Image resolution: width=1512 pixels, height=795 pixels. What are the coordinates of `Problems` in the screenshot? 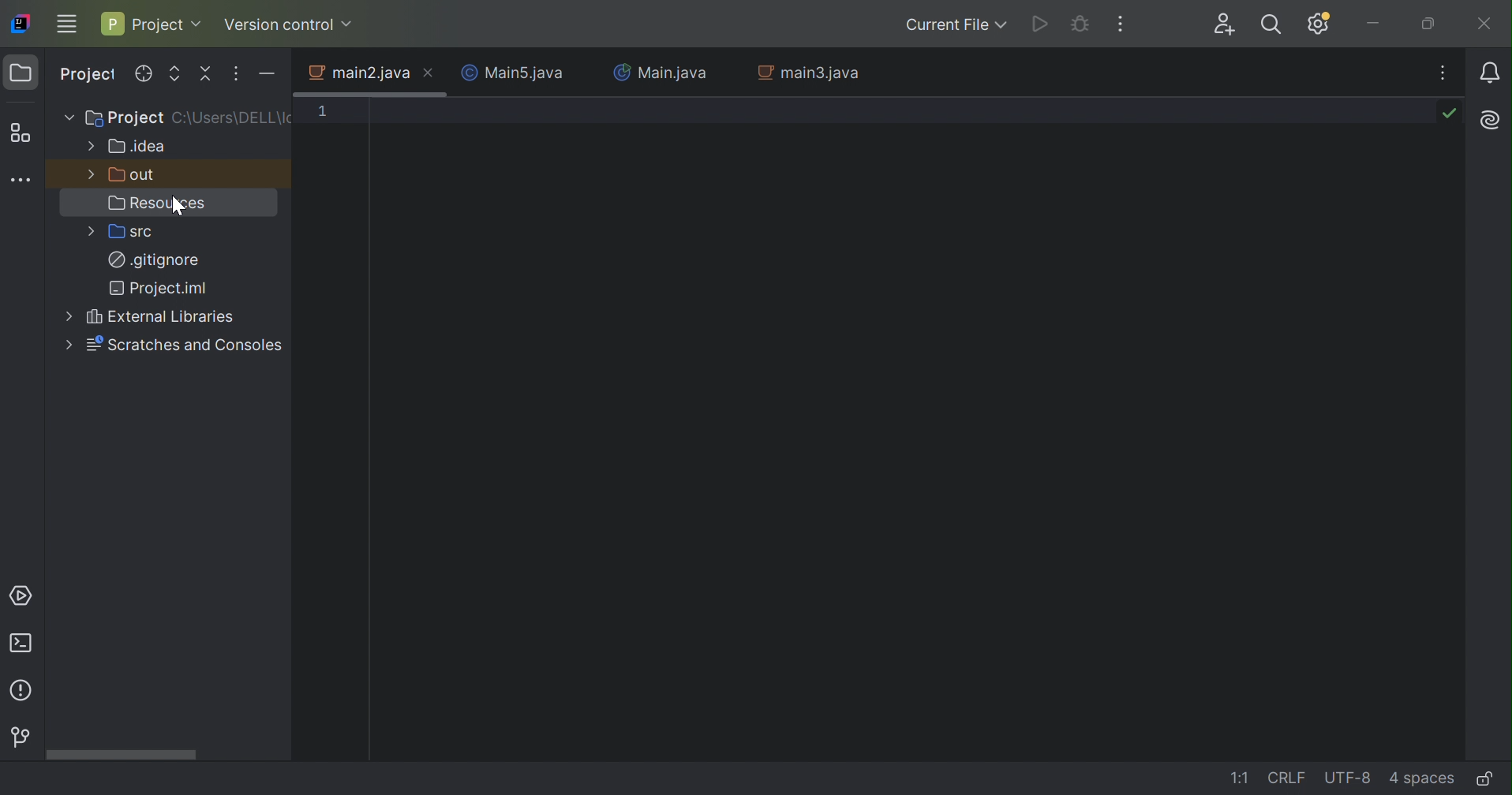 It's located at (23, 692).